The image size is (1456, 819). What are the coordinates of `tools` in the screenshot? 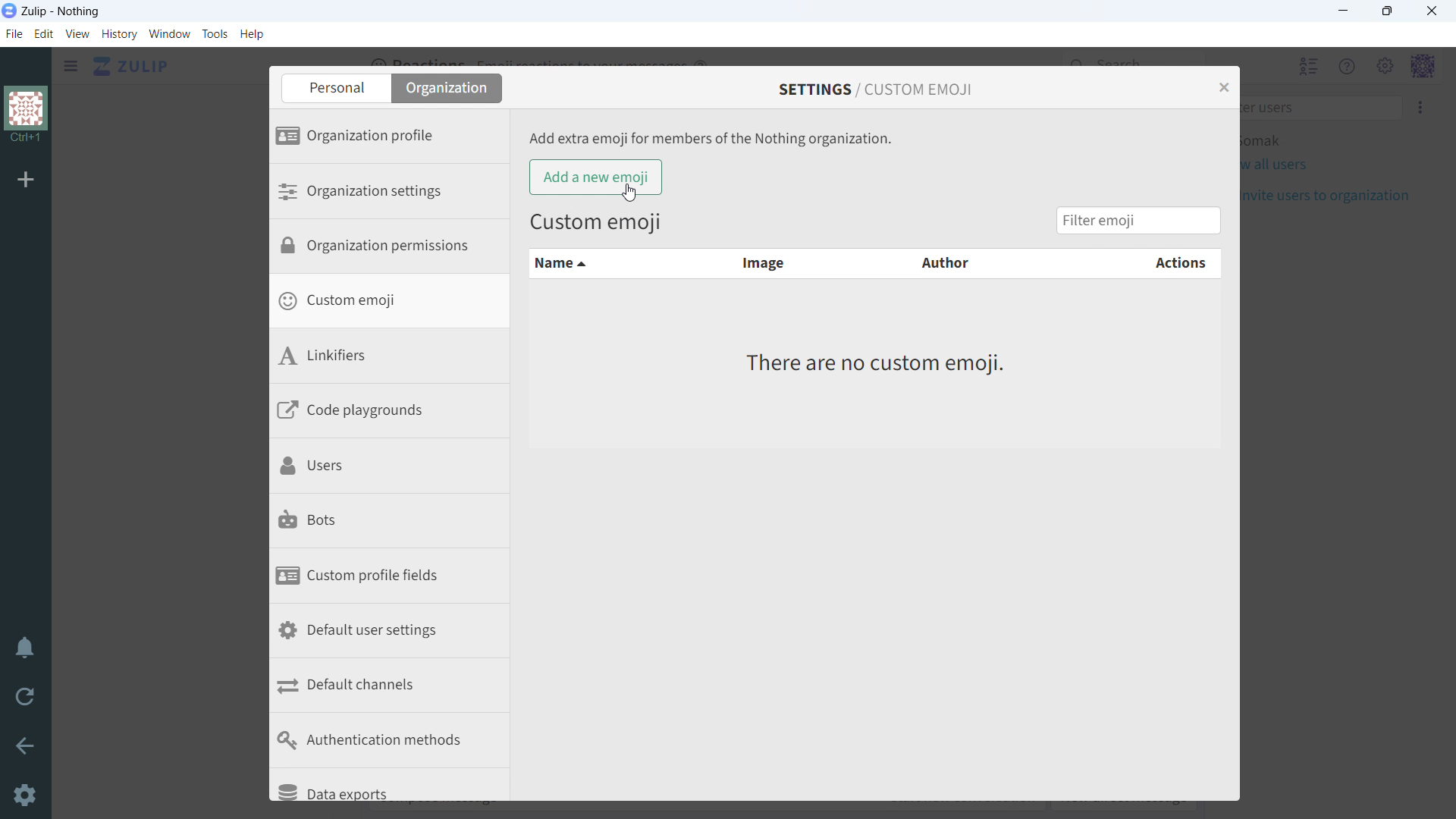 It's located at (215, 33).